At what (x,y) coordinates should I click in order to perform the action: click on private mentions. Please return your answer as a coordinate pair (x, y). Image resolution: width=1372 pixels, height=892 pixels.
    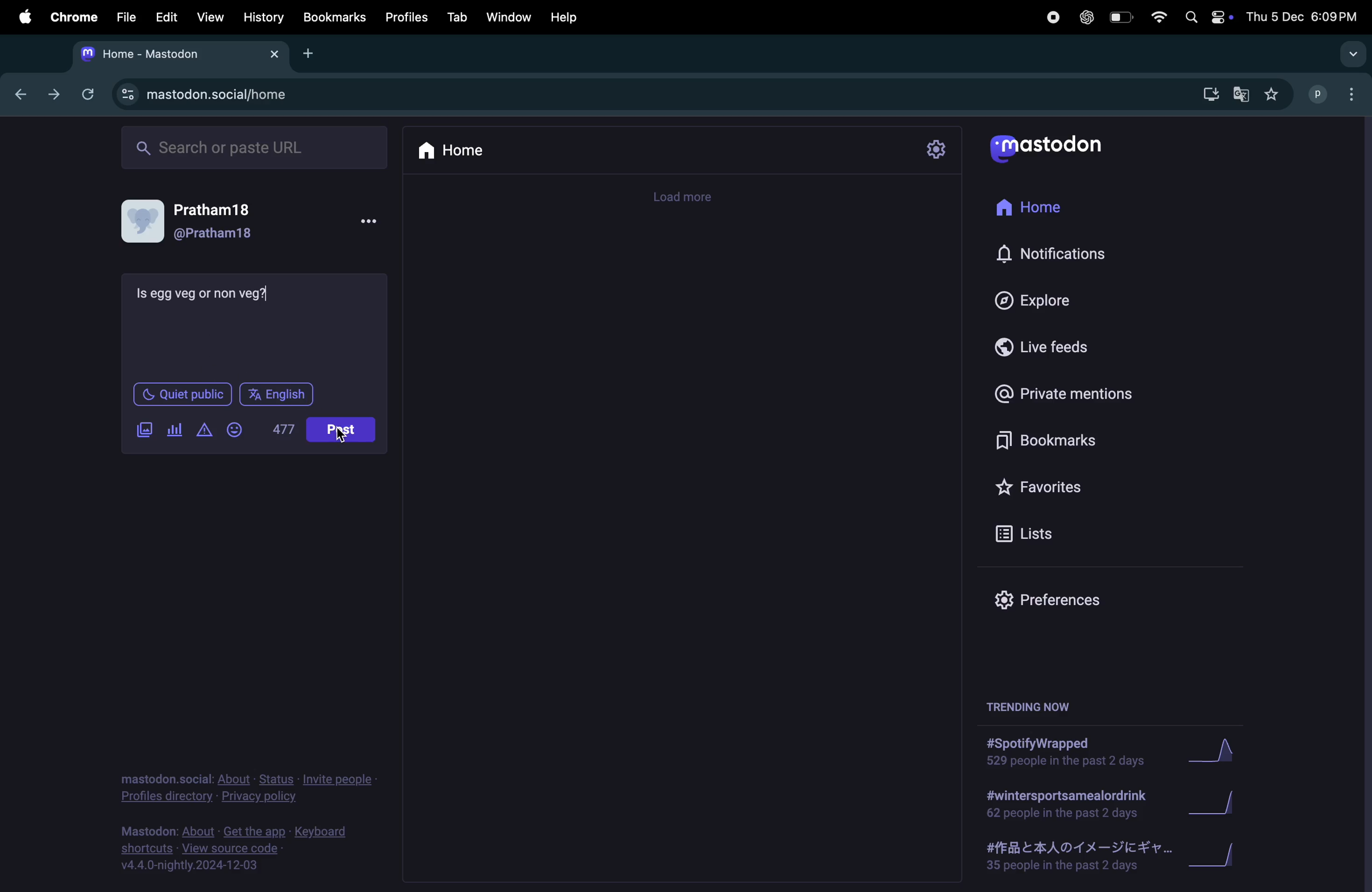
    Looking at the image, I should click on (1066, 394).